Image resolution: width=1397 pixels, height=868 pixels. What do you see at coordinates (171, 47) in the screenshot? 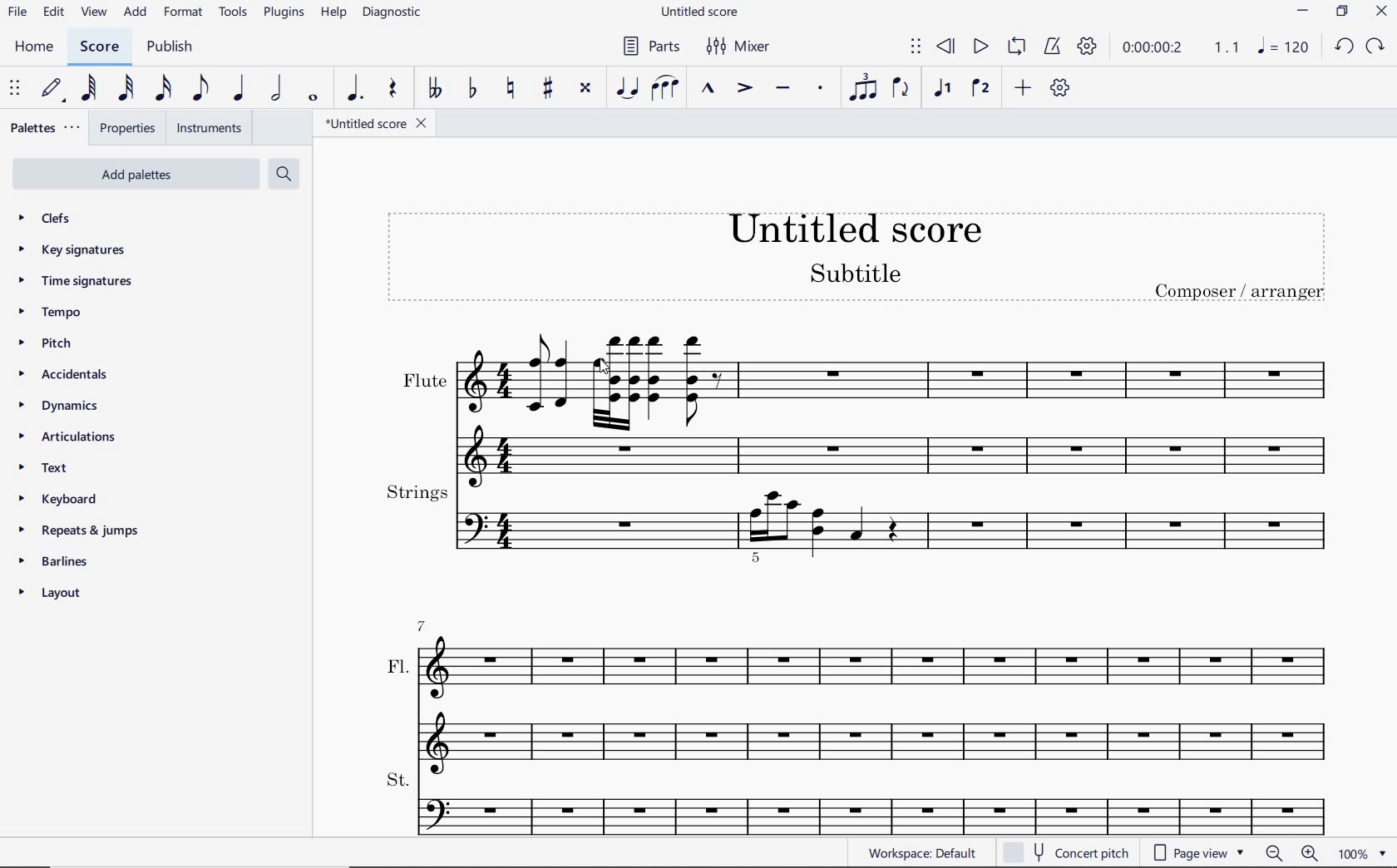
I see `publish` at bounding box center [171, 47].